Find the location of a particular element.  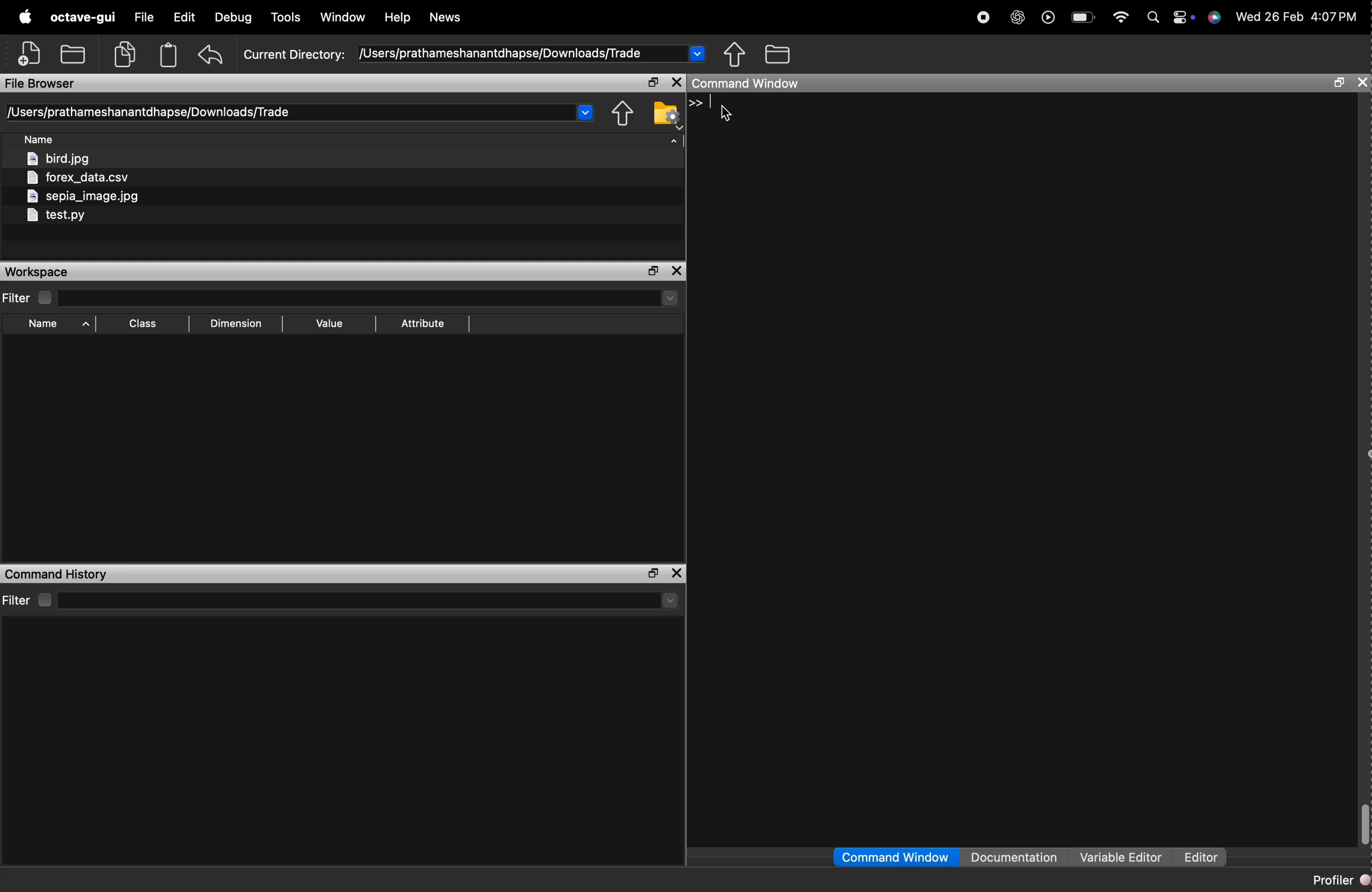

Profiler @ is located at coordinates (1340, 879).